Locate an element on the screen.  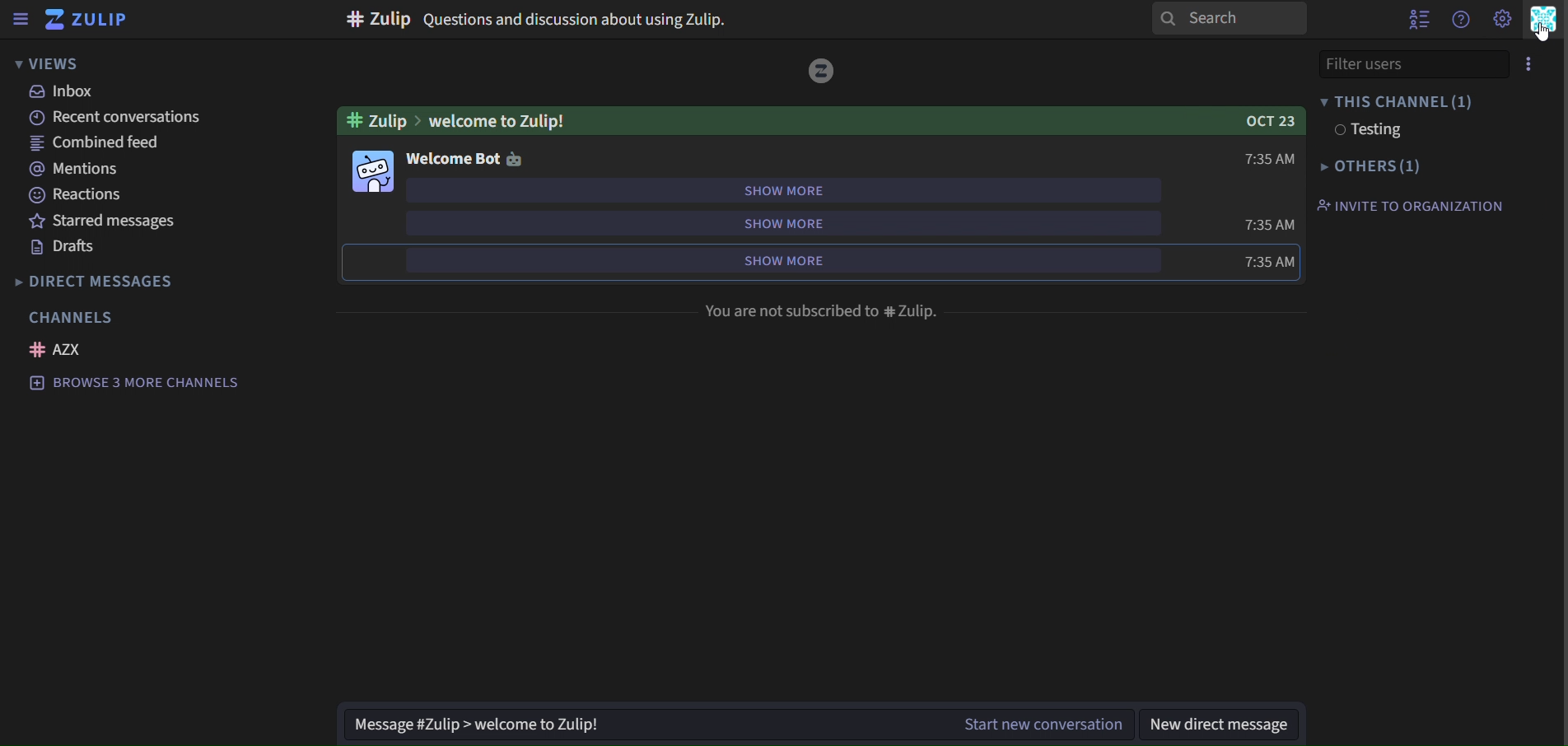
7:35AM is located at coordinates (1268, 225).